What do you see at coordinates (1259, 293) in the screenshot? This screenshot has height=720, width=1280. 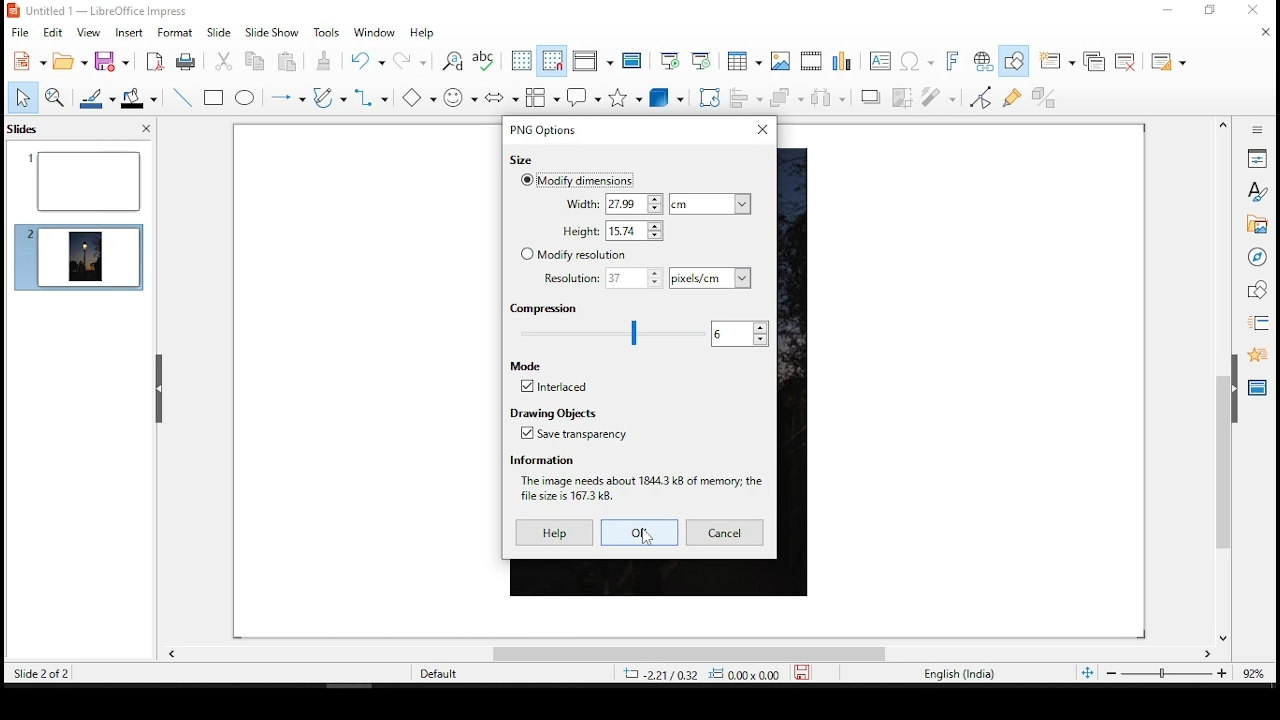 I see `shapes` at bounding box center [1259, 293].